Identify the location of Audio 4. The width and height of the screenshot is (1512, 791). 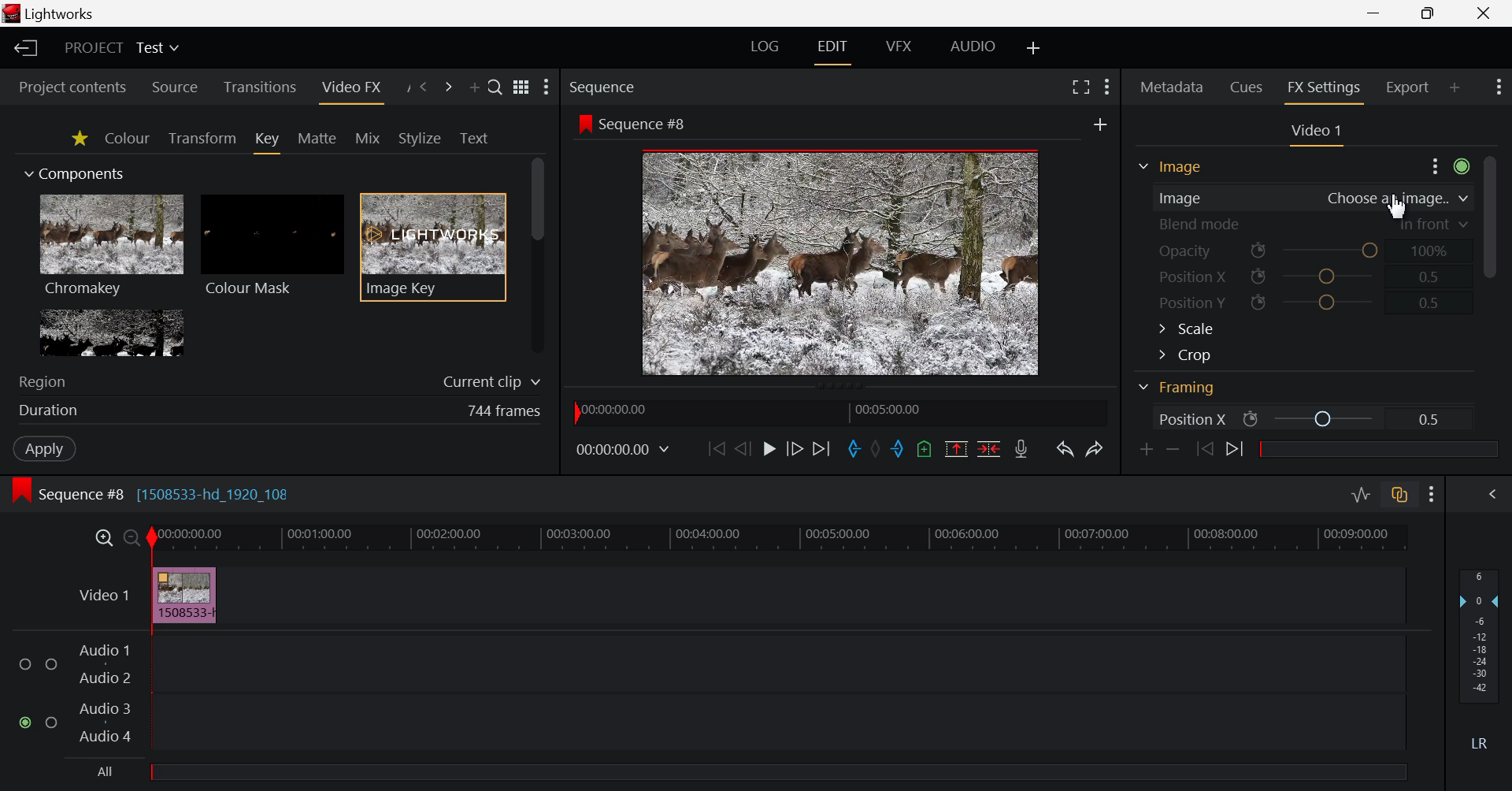
(106, 733).